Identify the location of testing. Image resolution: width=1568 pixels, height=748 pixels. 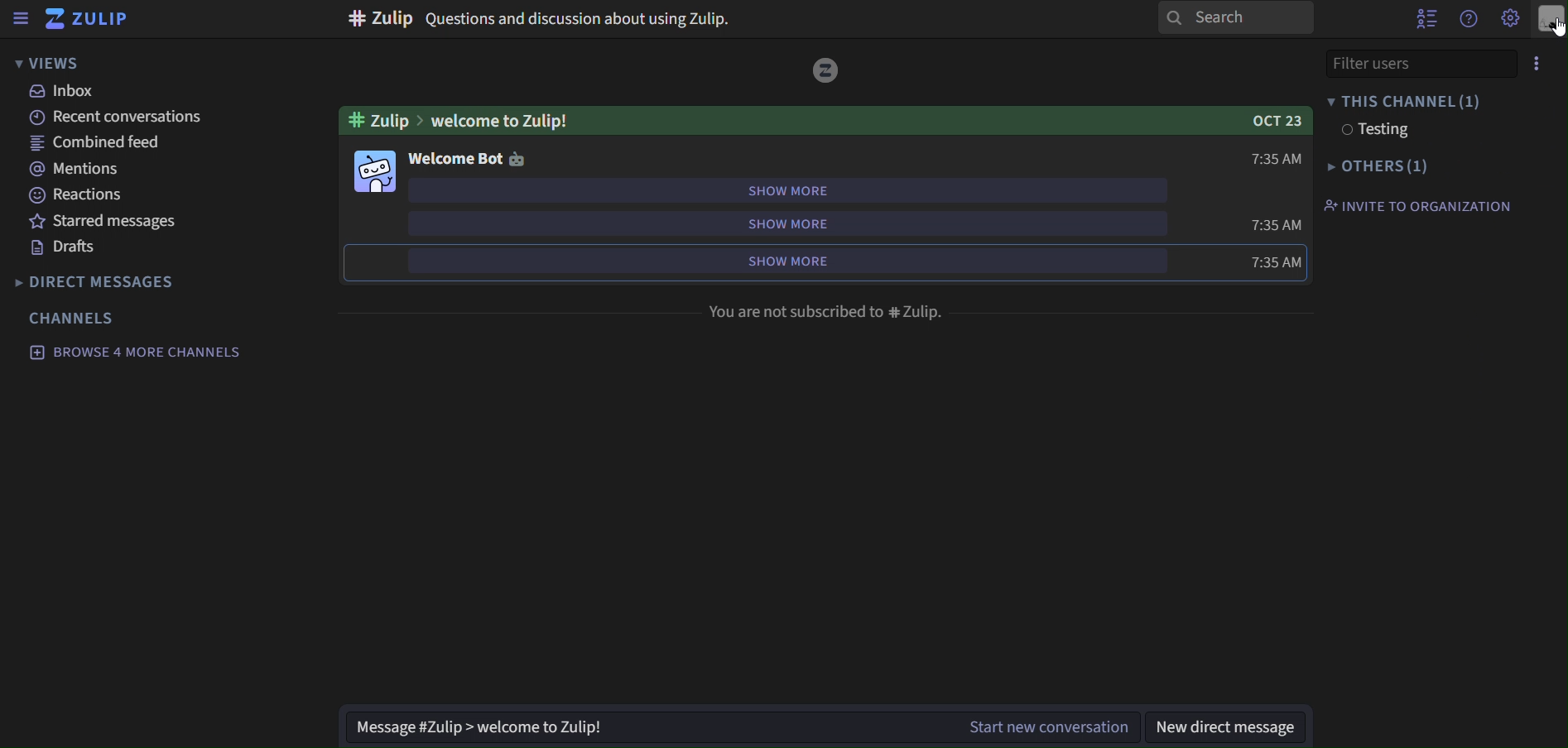
(1375, 132).